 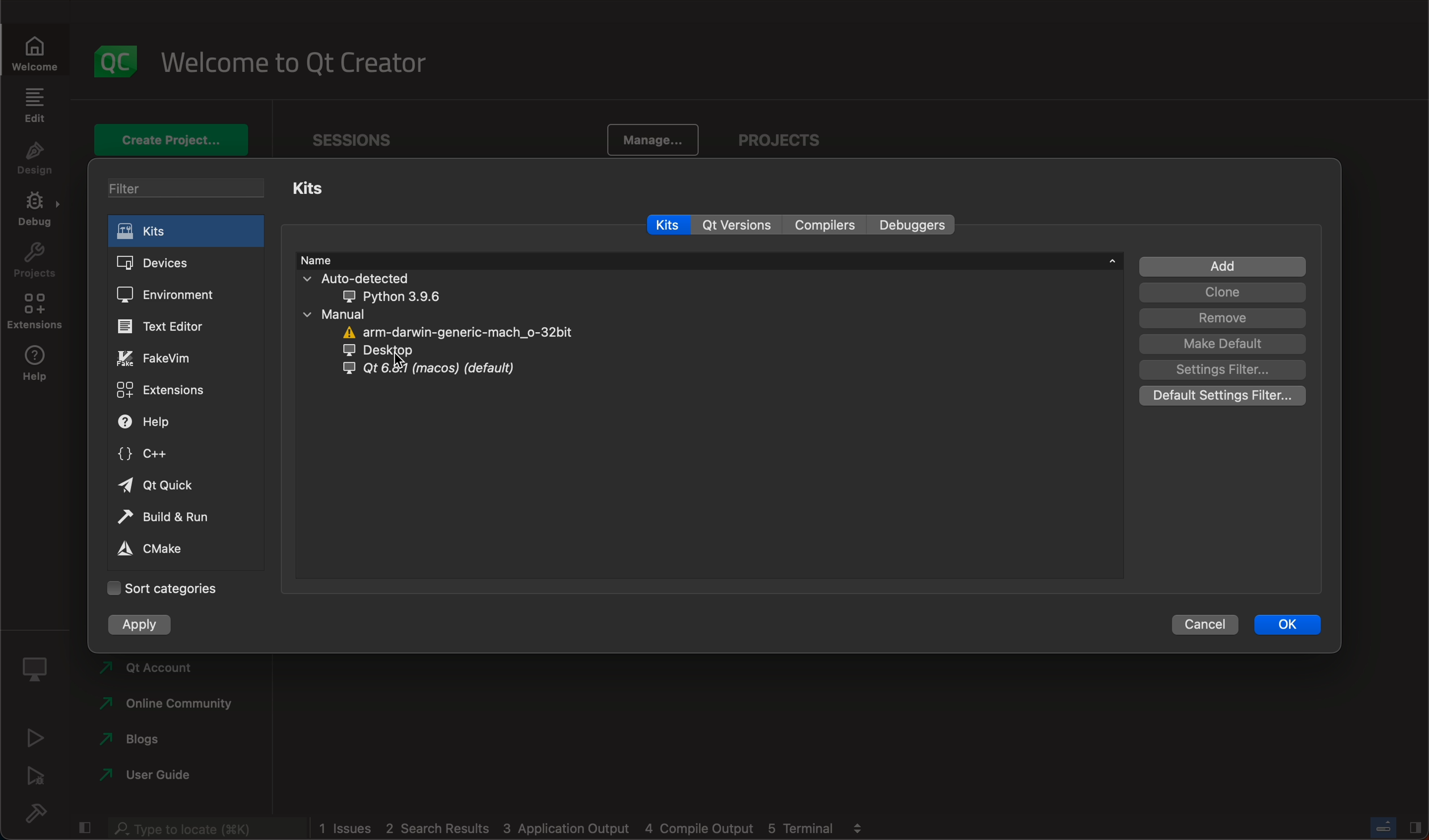 What do you see at coordinates (913, 224) in the screenshot?
I see `debuggers` at bounding box center [913, 224].